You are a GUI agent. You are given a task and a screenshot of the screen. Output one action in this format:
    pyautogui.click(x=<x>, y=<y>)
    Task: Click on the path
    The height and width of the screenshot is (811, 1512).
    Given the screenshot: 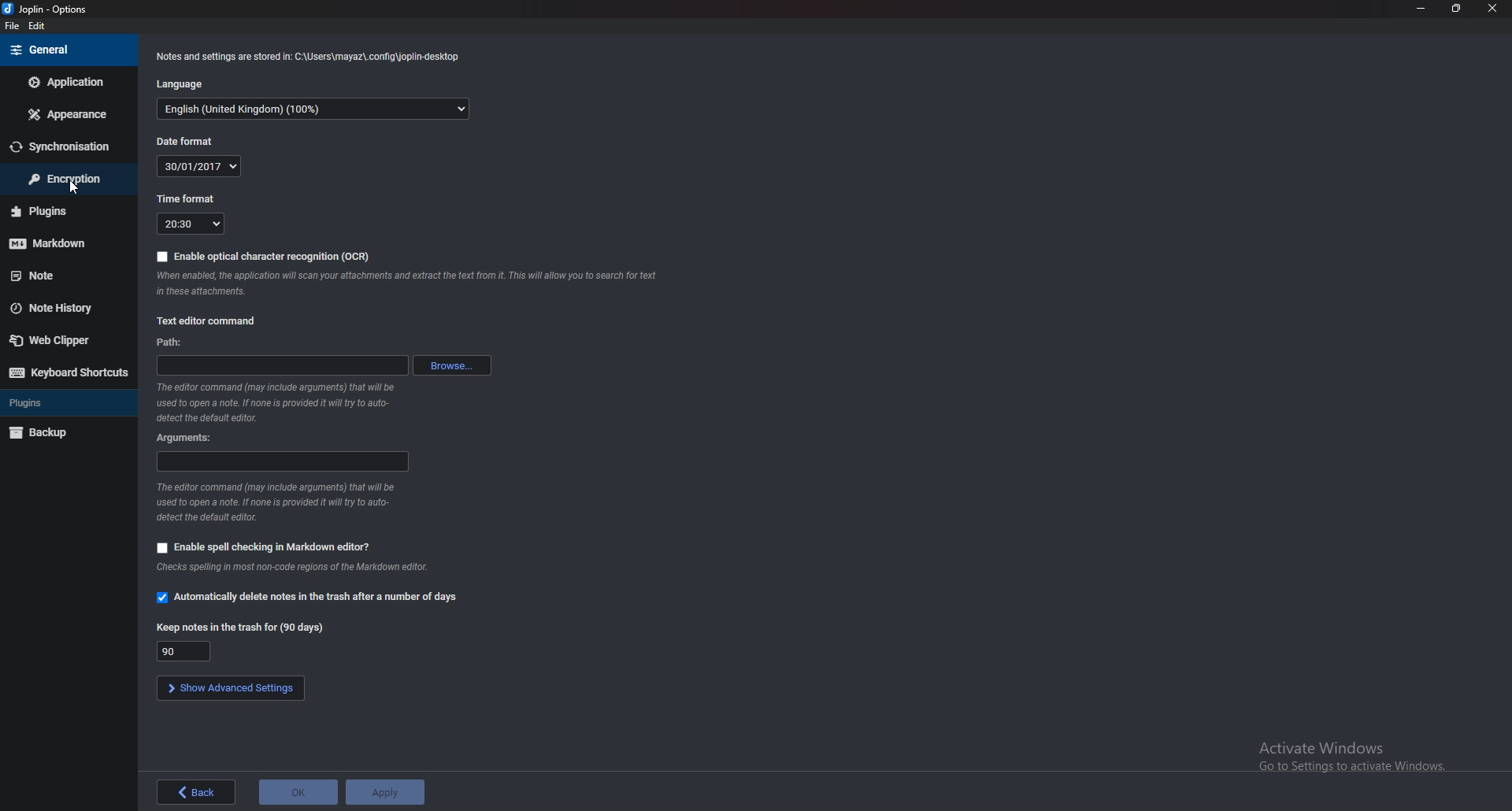 What is the action you would take?
    pyautogui.click(x=170, y=343)
    